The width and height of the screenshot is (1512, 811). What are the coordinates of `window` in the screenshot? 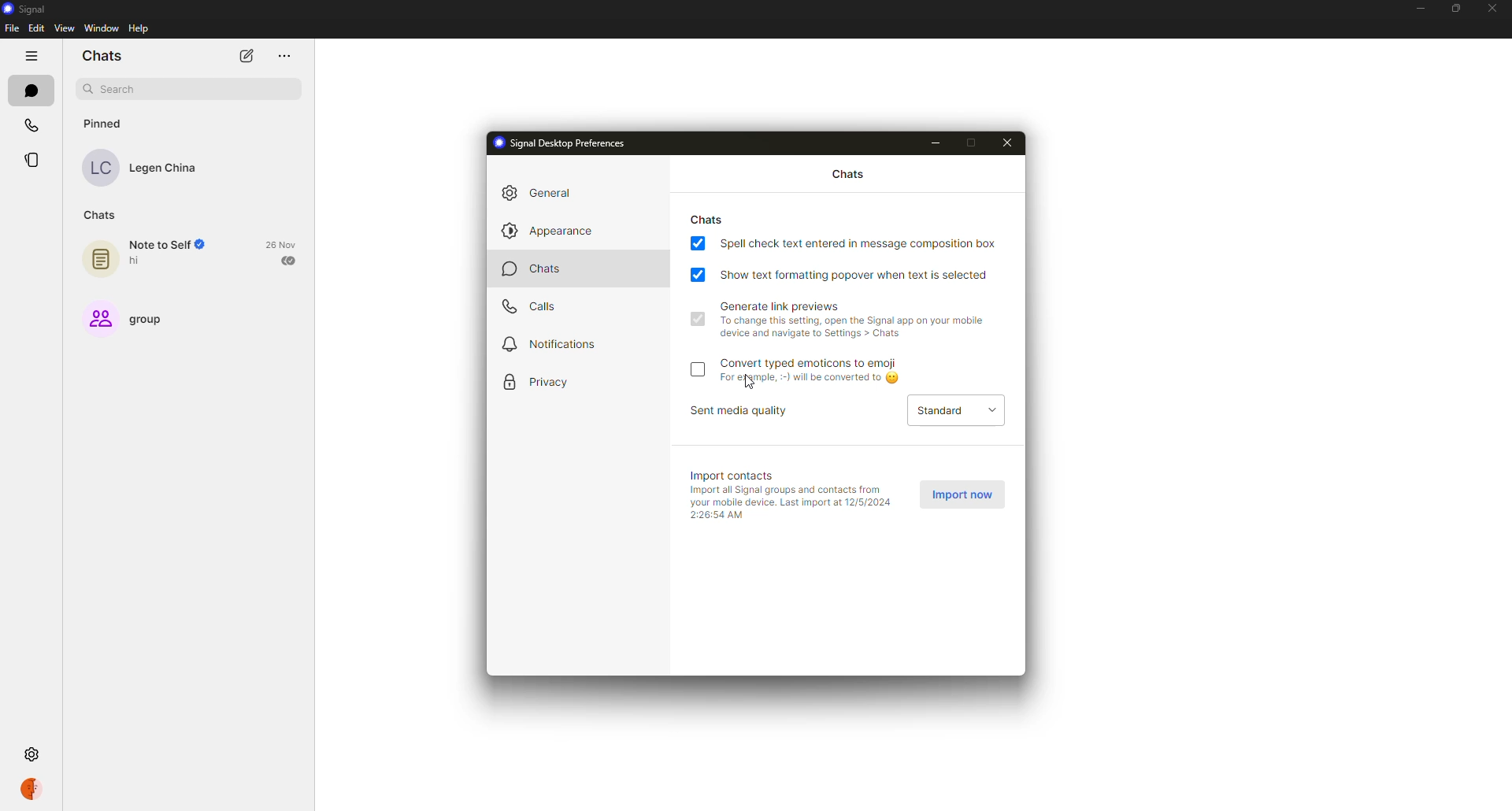 It's located at (102, 28).